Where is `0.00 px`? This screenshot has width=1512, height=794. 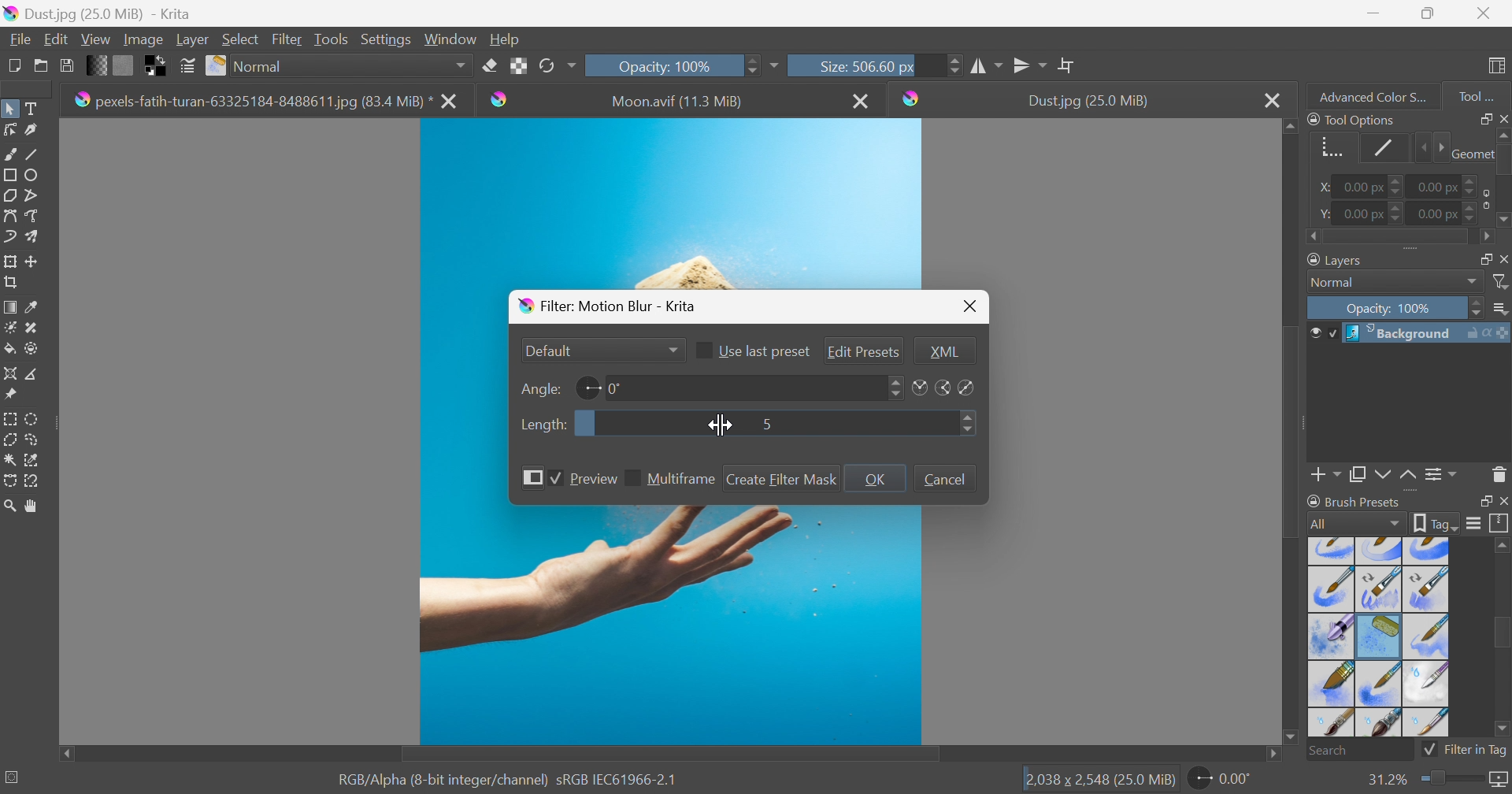 0.00 px is located at coordinates (1364, 214).